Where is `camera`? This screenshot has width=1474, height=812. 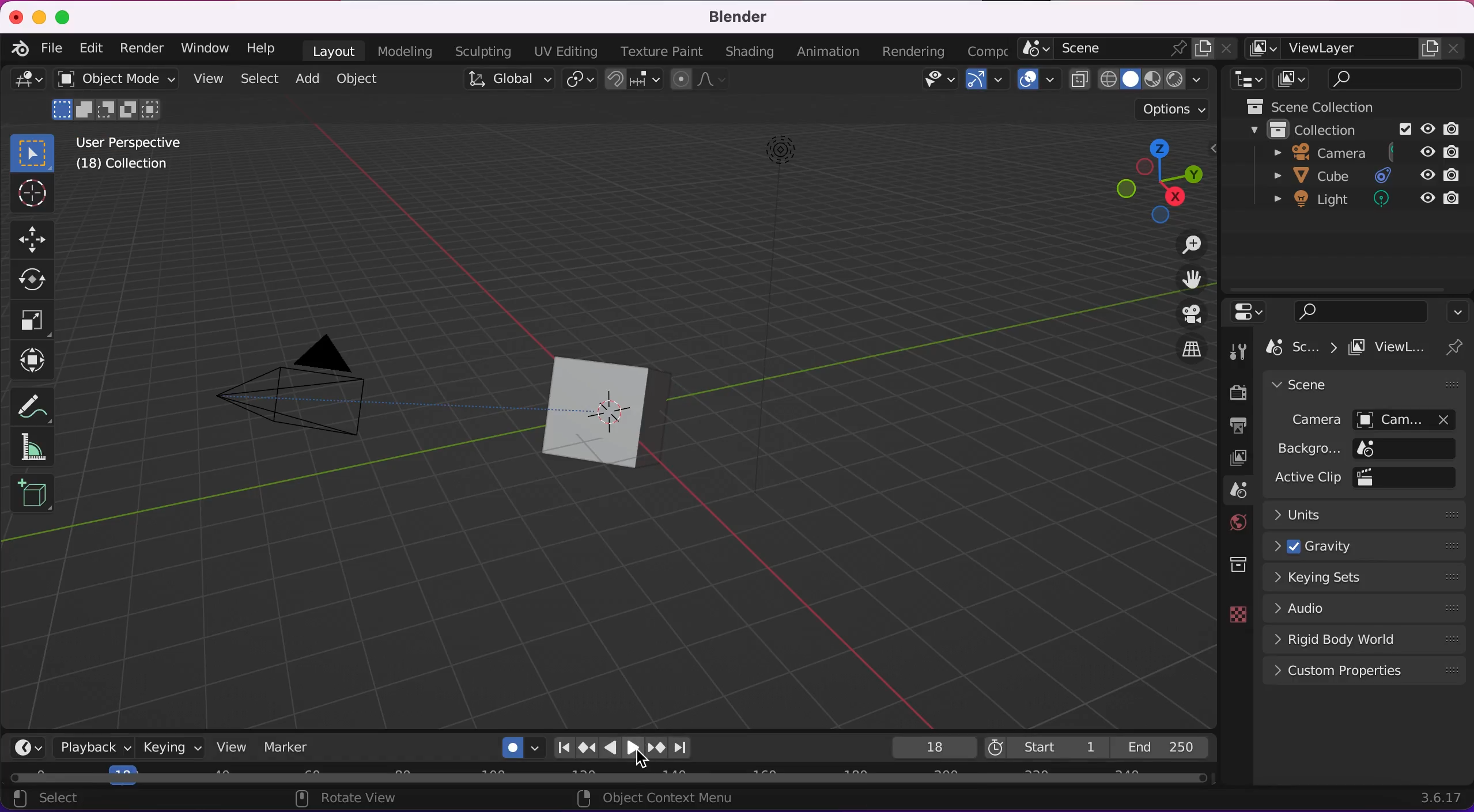 camera is located at coordinates (319, 385).